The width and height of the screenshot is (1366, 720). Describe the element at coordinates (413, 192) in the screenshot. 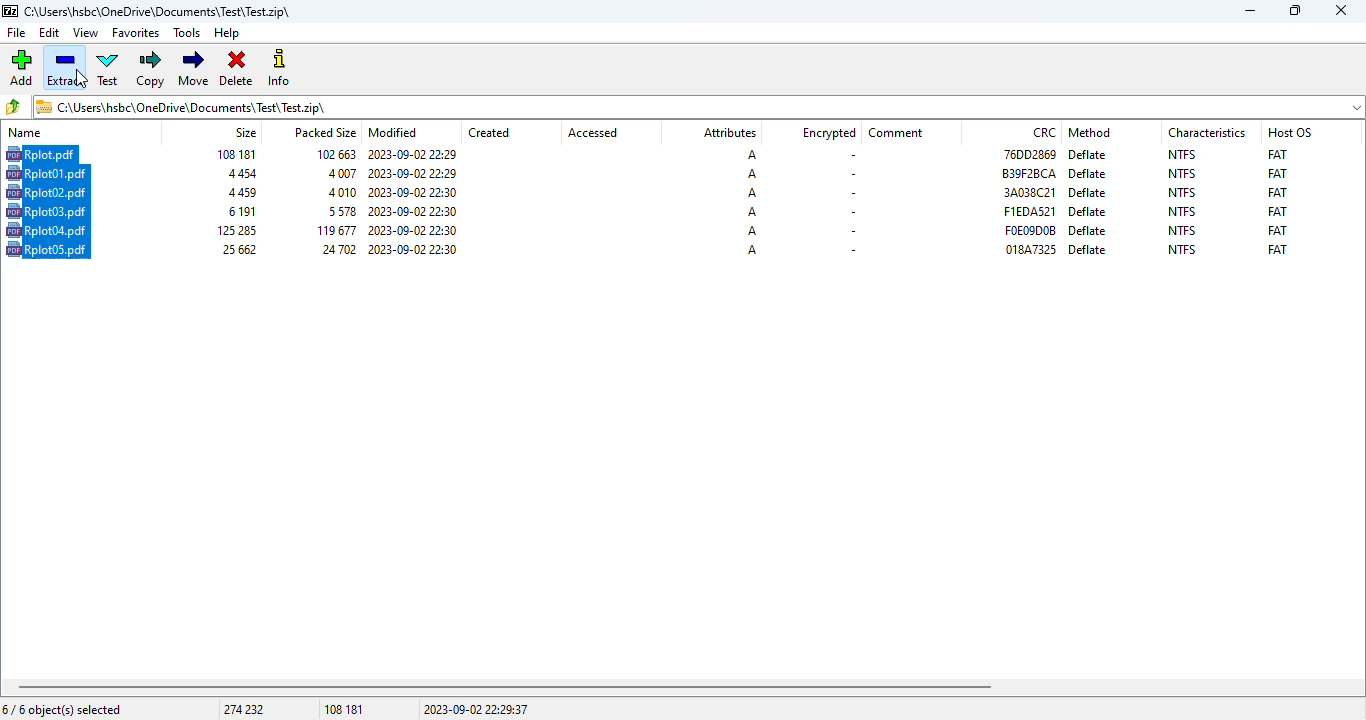

I see `modified date & time` at that location.